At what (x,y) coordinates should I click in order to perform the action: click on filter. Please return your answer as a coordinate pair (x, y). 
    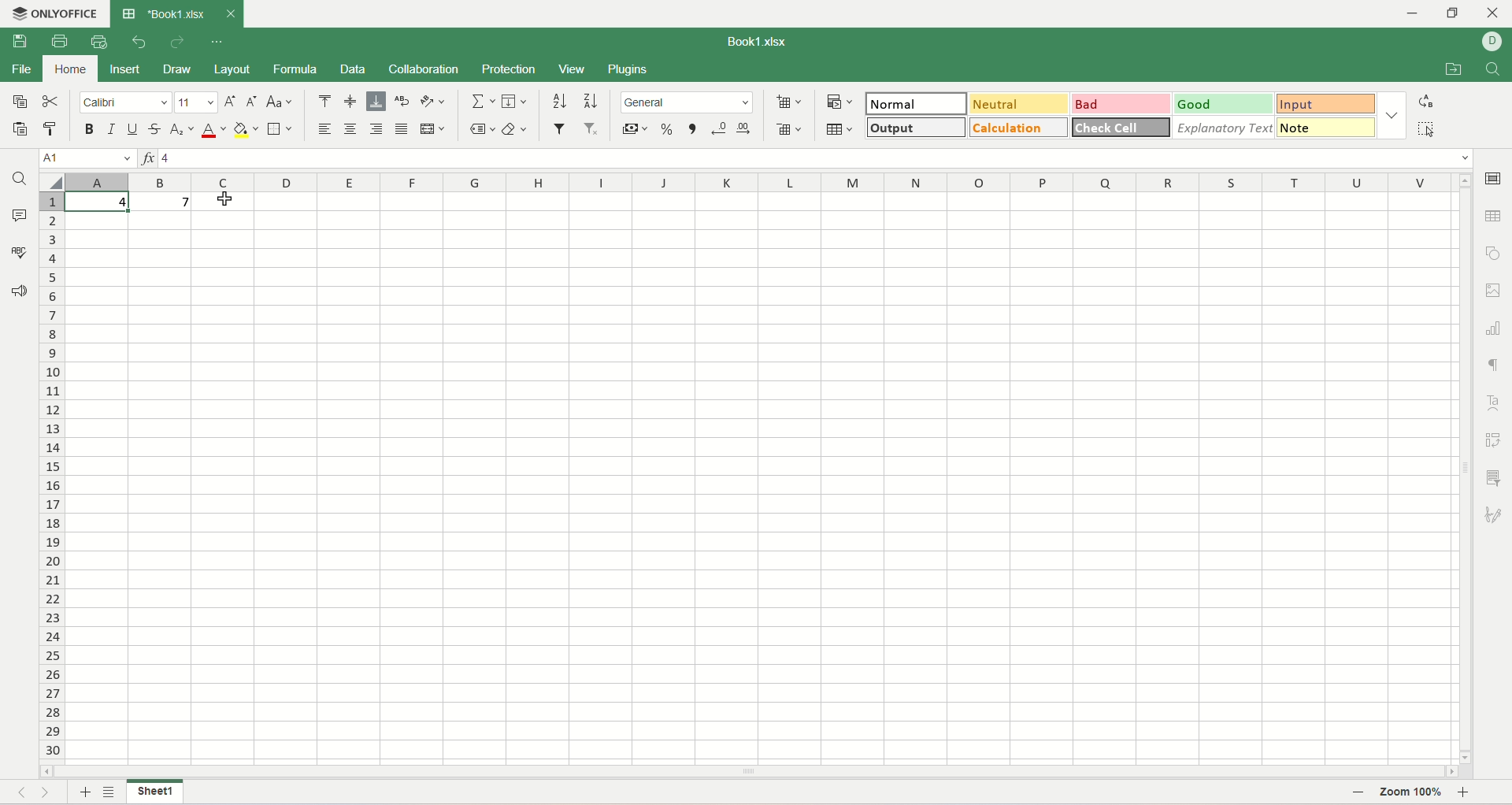
    Looking at the image, I should click on (560, 129).